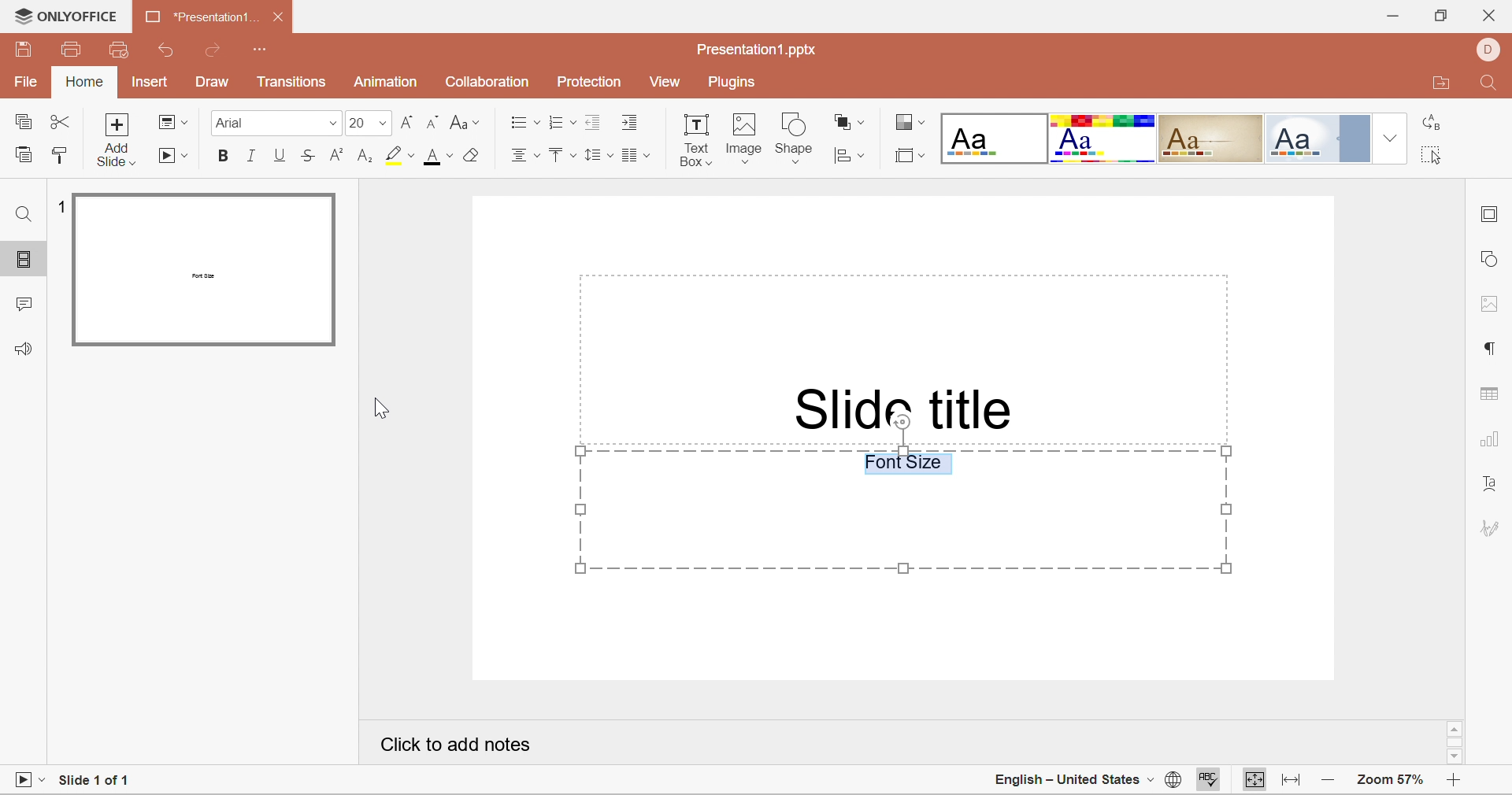 This screenshot has height=795, width=1512. Describe the element at coordinates (560, 122) in the screenshot. I see `Numbering` at that location.